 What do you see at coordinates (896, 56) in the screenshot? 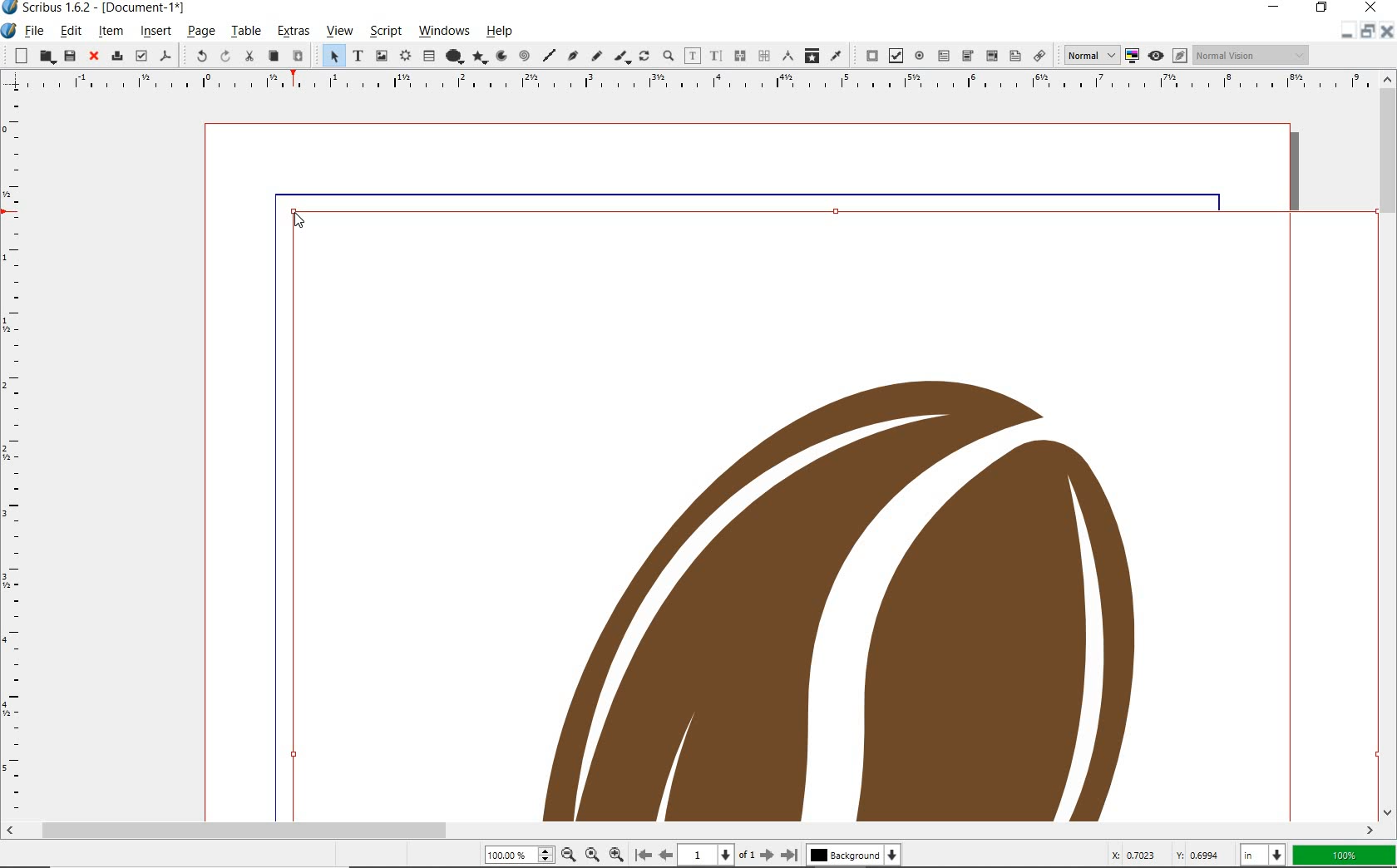
I see `pdf check box` at bounding box center [896, 56].